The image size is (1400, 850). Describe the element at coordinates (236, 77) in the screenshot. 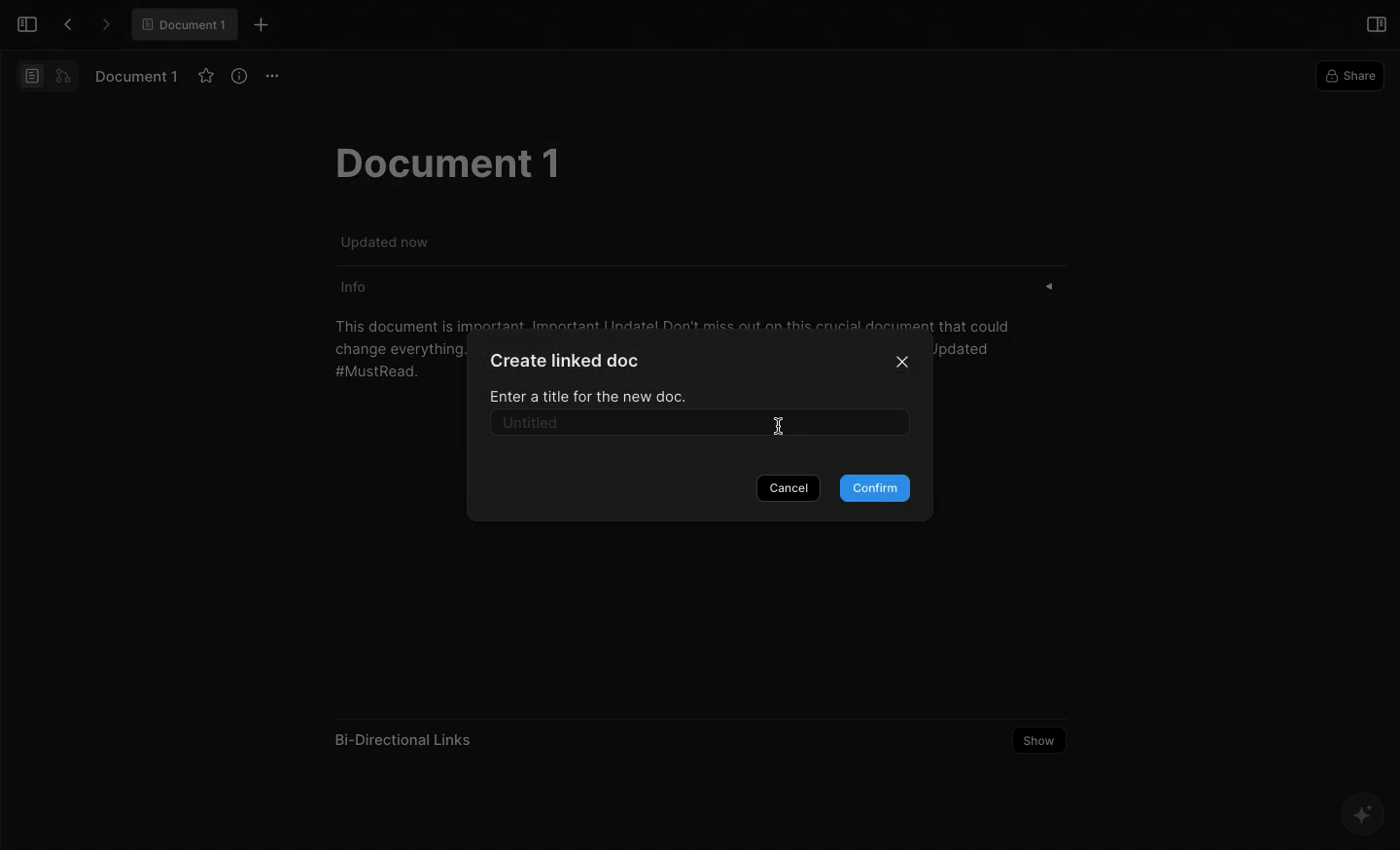

I see `View info` at that location.